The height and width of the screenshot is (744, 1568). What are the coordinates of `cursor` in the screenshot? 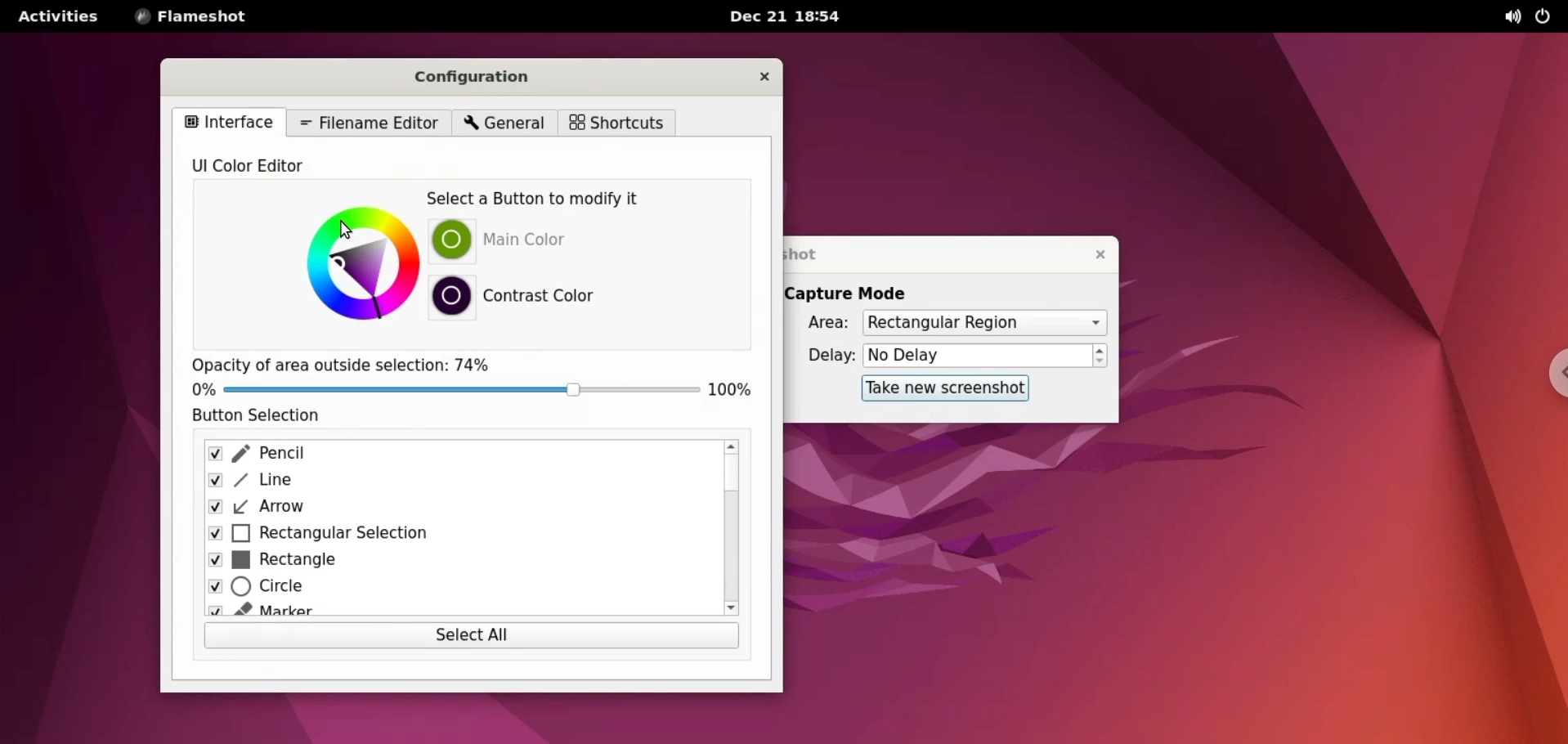 It's located at (348, 231).